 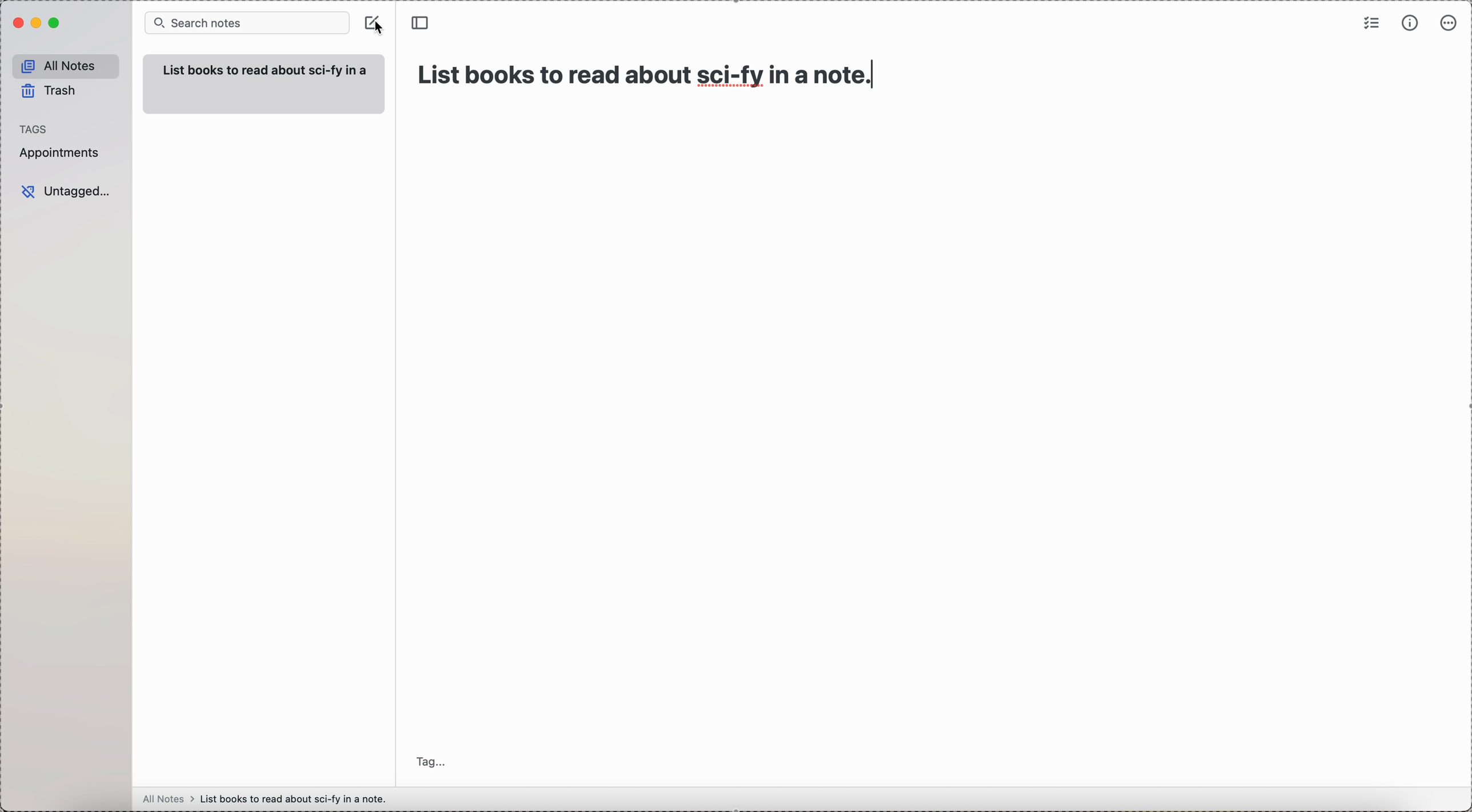 I want to click on check list, so click(x=1372, y=23).